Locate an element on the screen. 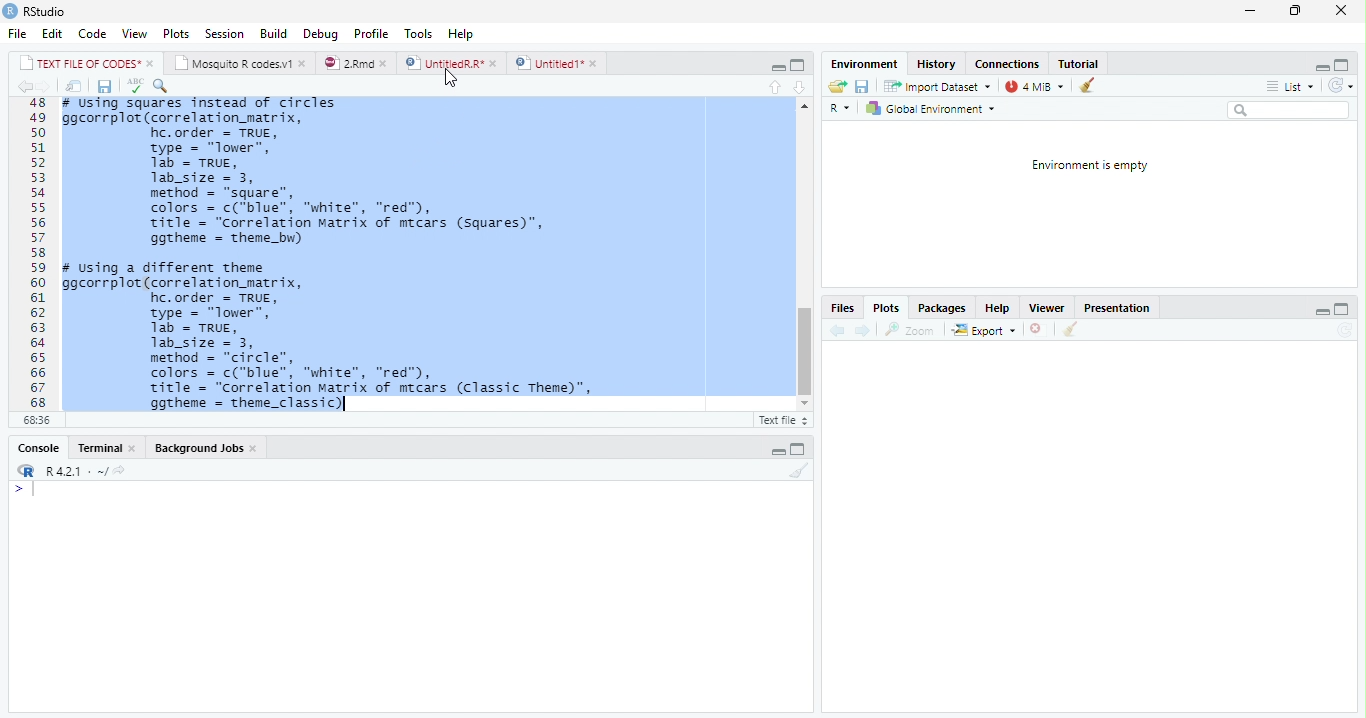 The height and width of the screenshot is (718, 1366). clear all plots is located at coordinates (1069, 330).